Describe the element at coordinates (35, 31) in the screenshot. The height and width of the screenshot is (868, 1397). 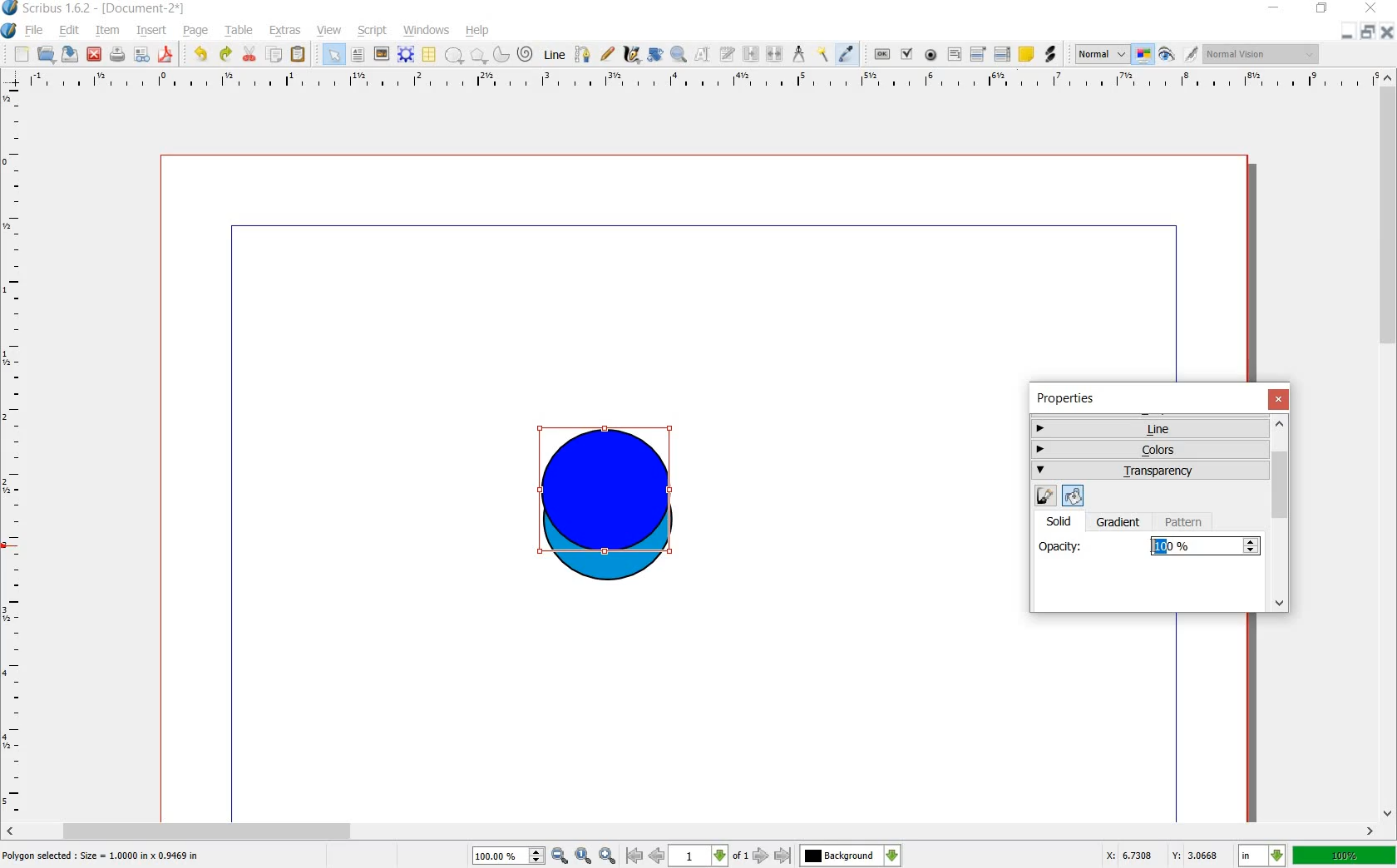
I see `file` at that location.